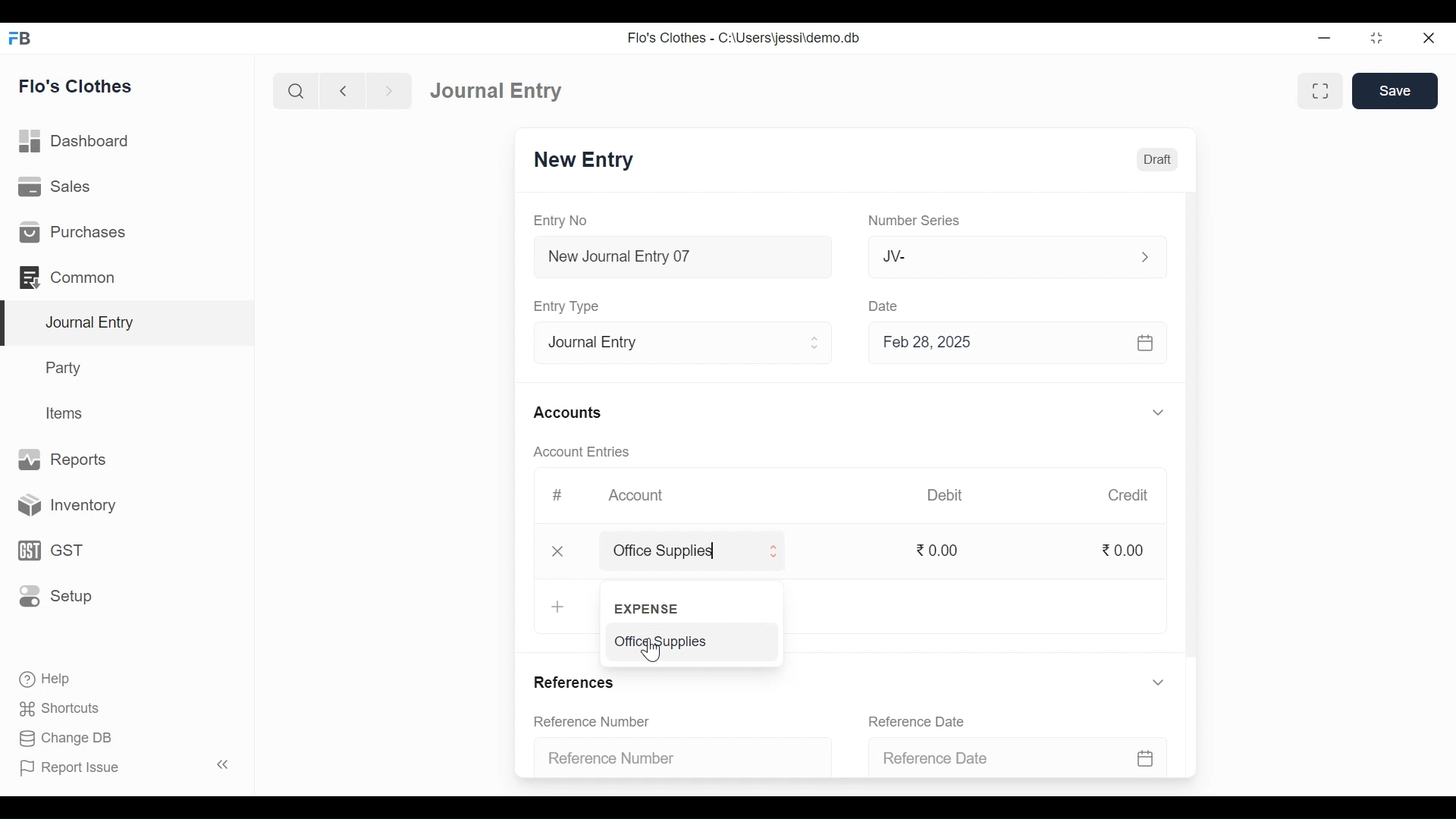  What do you see at coordinates (1320, 92) in the screenshot?
I see `Toggle form and full width` at bounding box center [1320, 92].